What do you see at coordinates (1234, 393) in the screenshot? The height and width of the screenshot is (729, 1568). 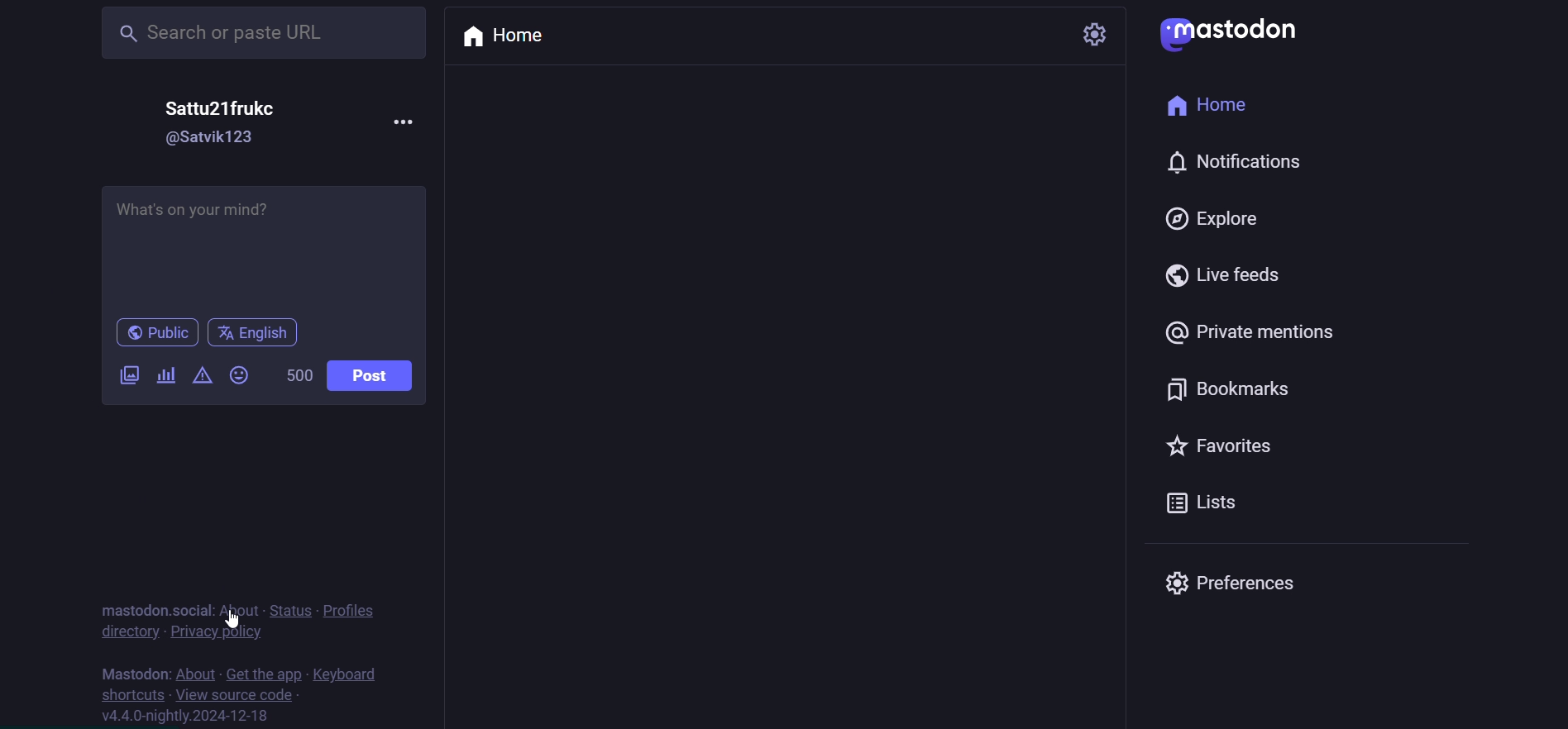 I see `bookmark` at bounding box center [1234, 393].